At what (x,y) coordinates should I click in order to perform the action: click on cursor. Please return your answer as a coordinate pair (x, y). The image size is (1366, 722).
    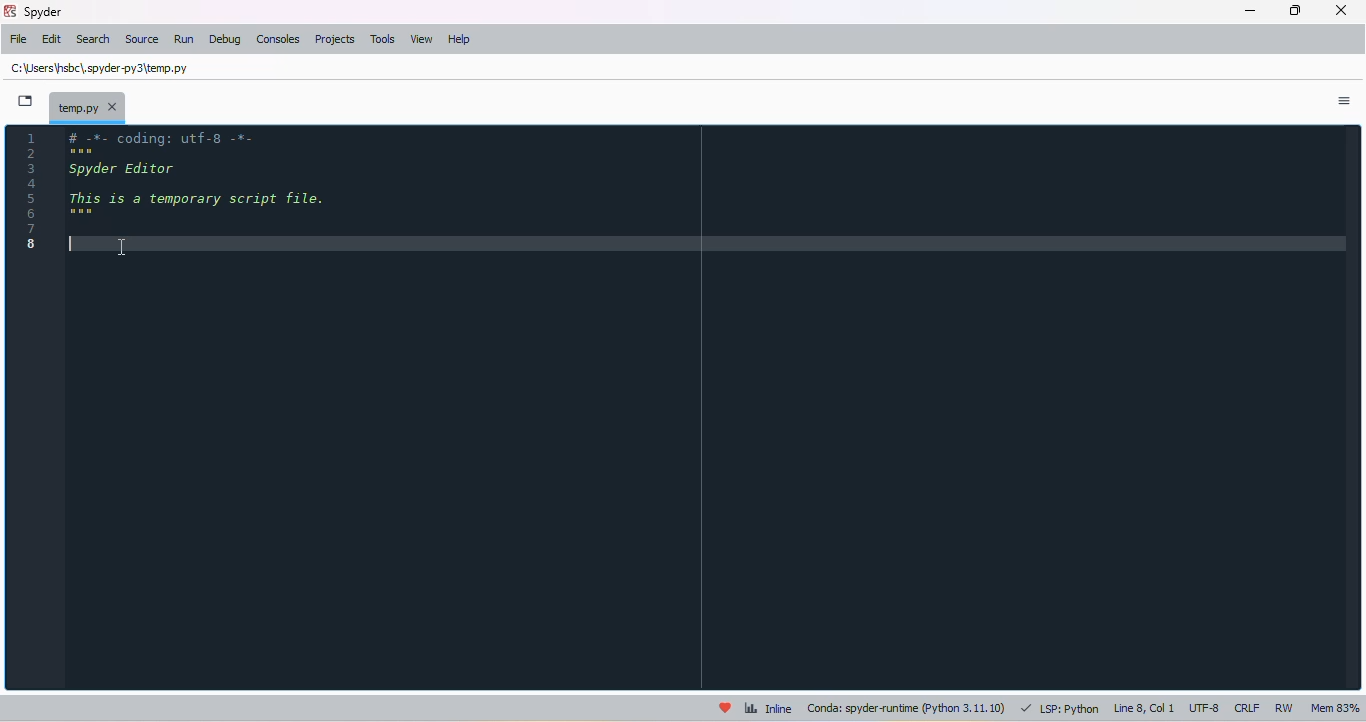
    Looking at the image, I should click on (122, 248).